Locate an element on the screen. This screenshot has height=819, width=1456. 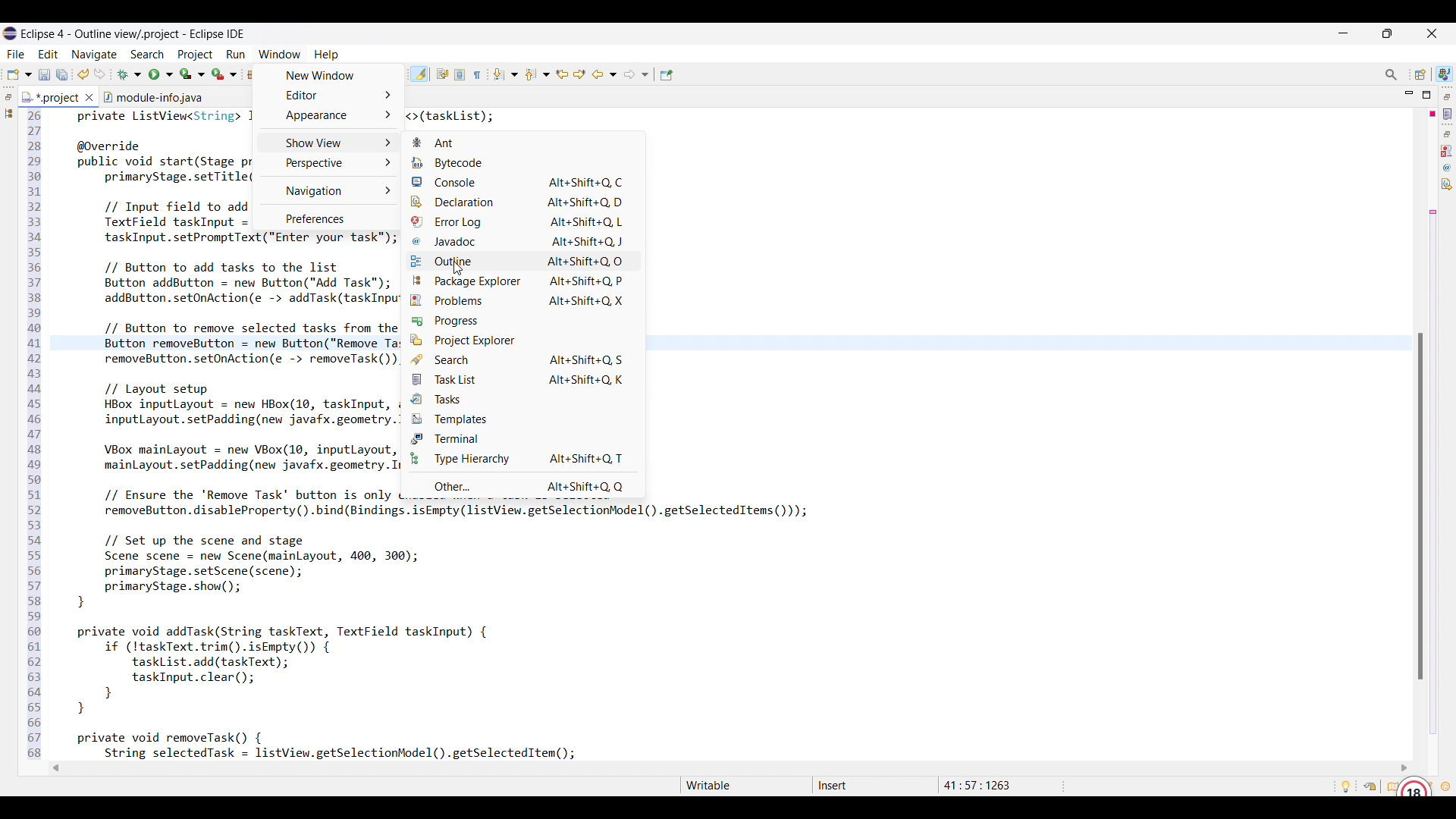
Back to project options is located at coordinates (604, 74).